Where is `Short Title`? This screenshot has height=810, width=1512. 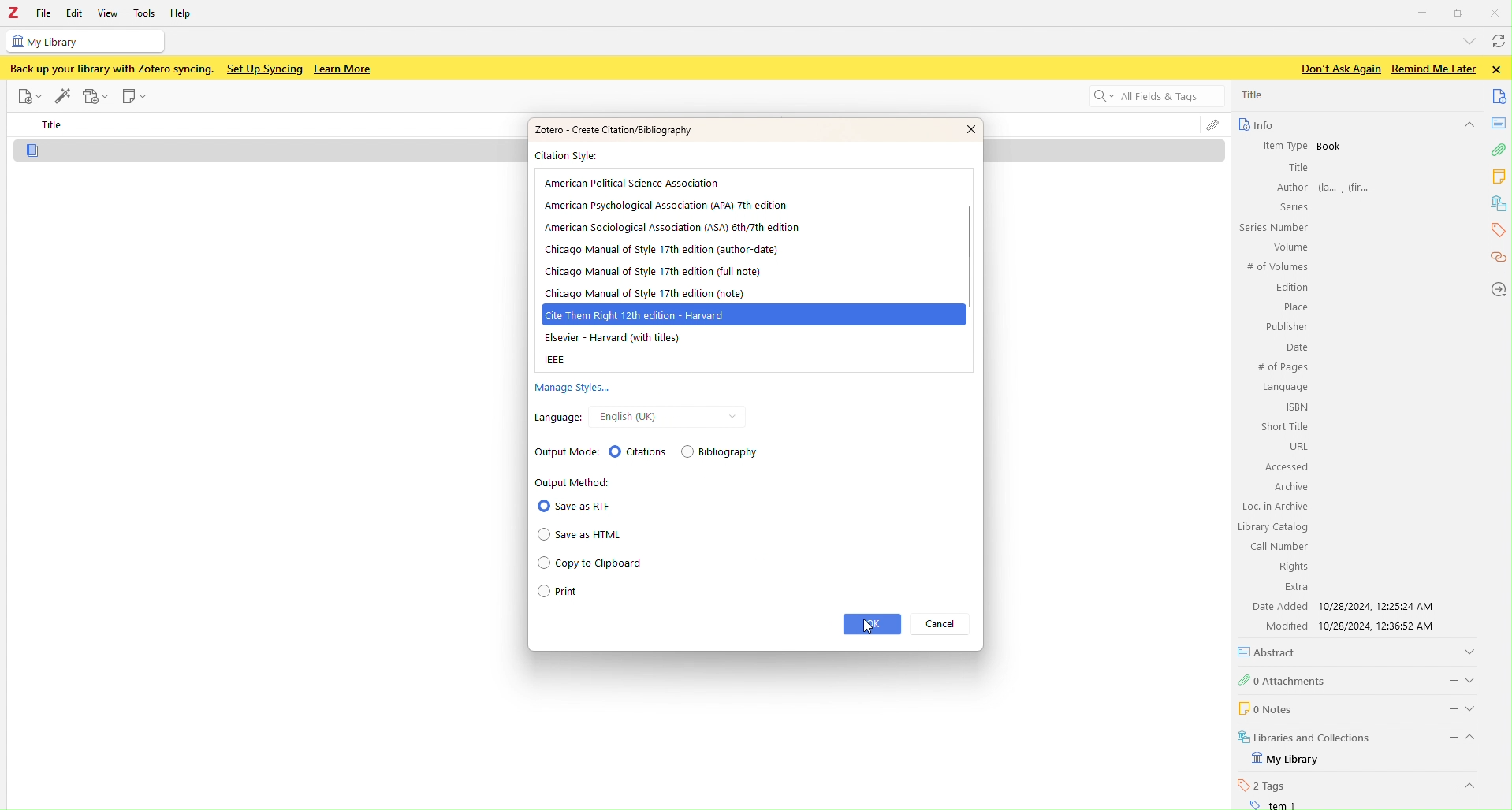 Short Title is located at coordinates (1286, 426).